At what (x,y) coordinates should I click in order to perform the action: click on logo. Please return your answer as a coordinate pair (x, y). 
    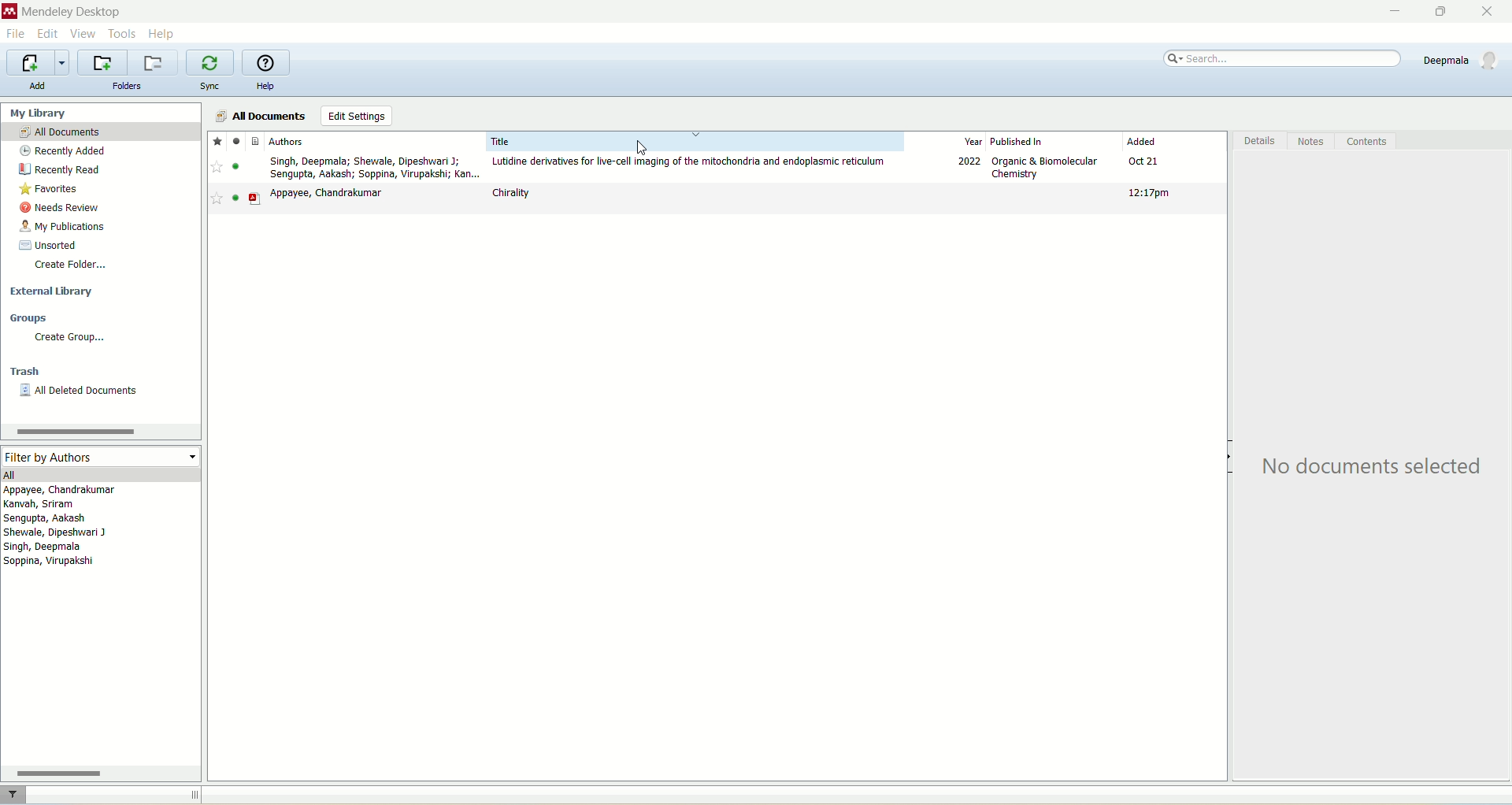
    Looking at the image, I should click on (9, 12).